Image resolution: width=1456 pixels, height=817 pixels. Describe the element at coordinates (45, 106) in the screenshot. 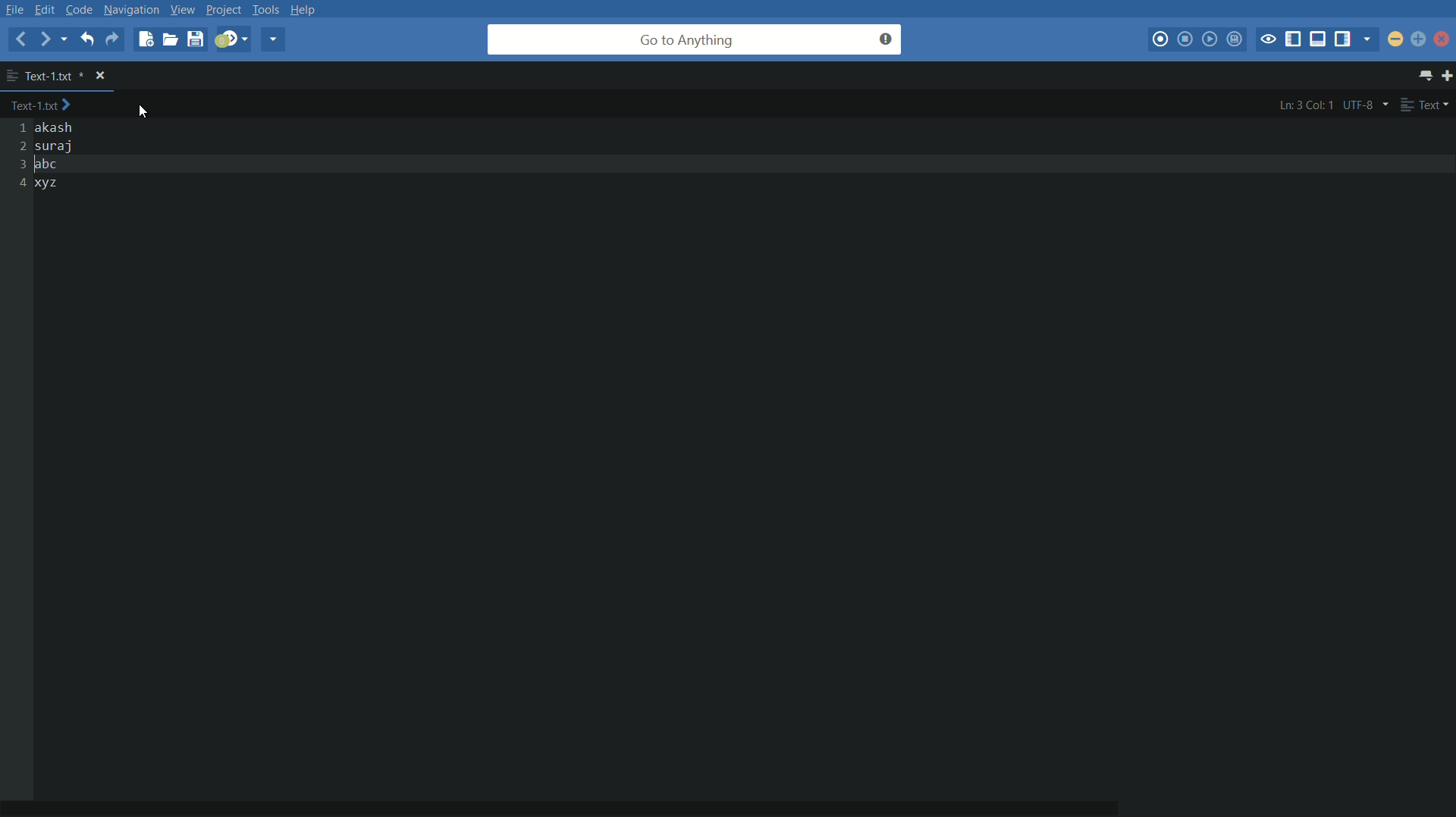

I see `Text-1.txt ` at that location.